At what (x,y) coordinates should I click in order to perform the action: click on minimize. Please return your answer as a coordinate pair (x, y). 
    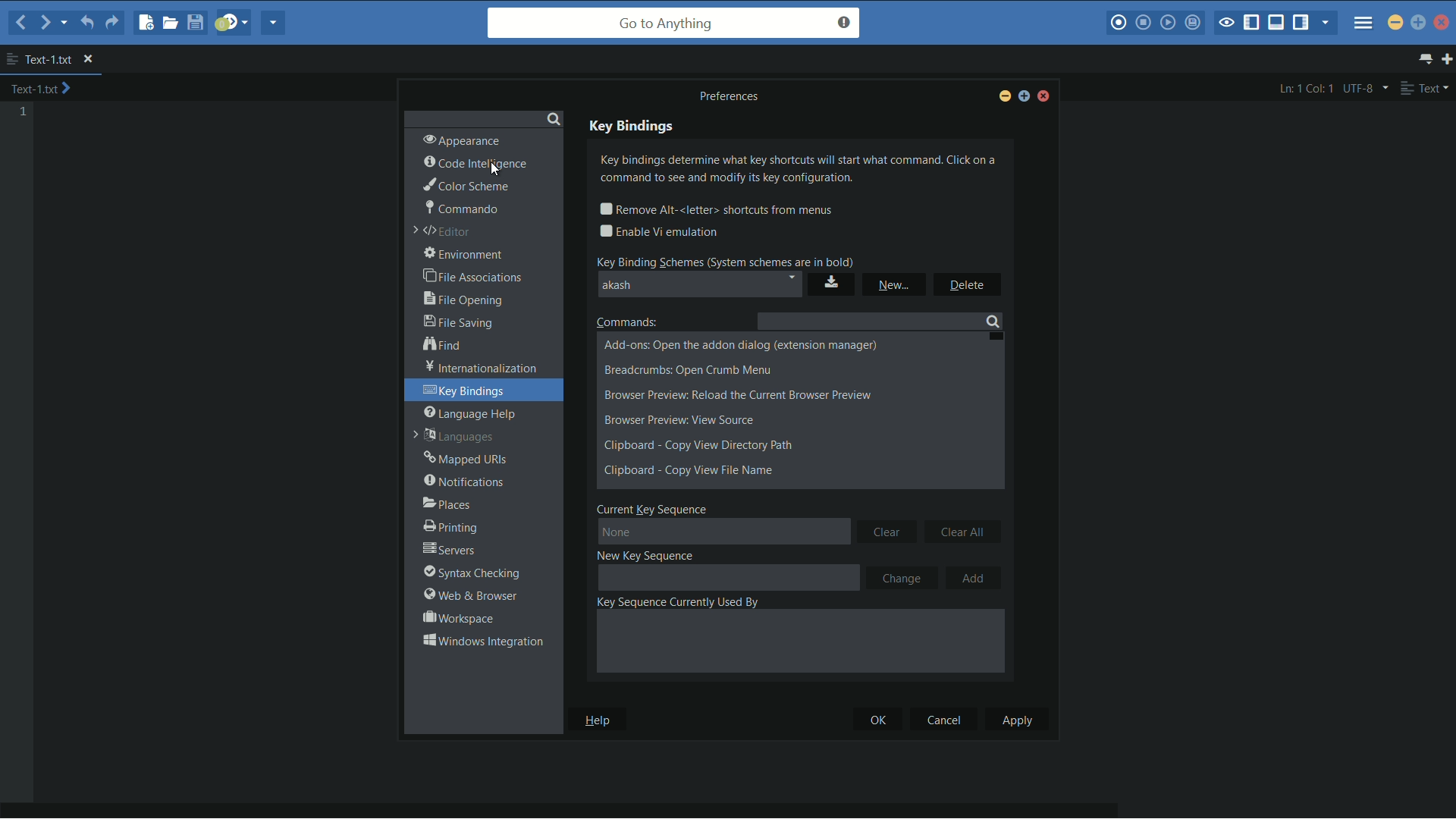
    Looking at the image, I should click on (1003, 98).